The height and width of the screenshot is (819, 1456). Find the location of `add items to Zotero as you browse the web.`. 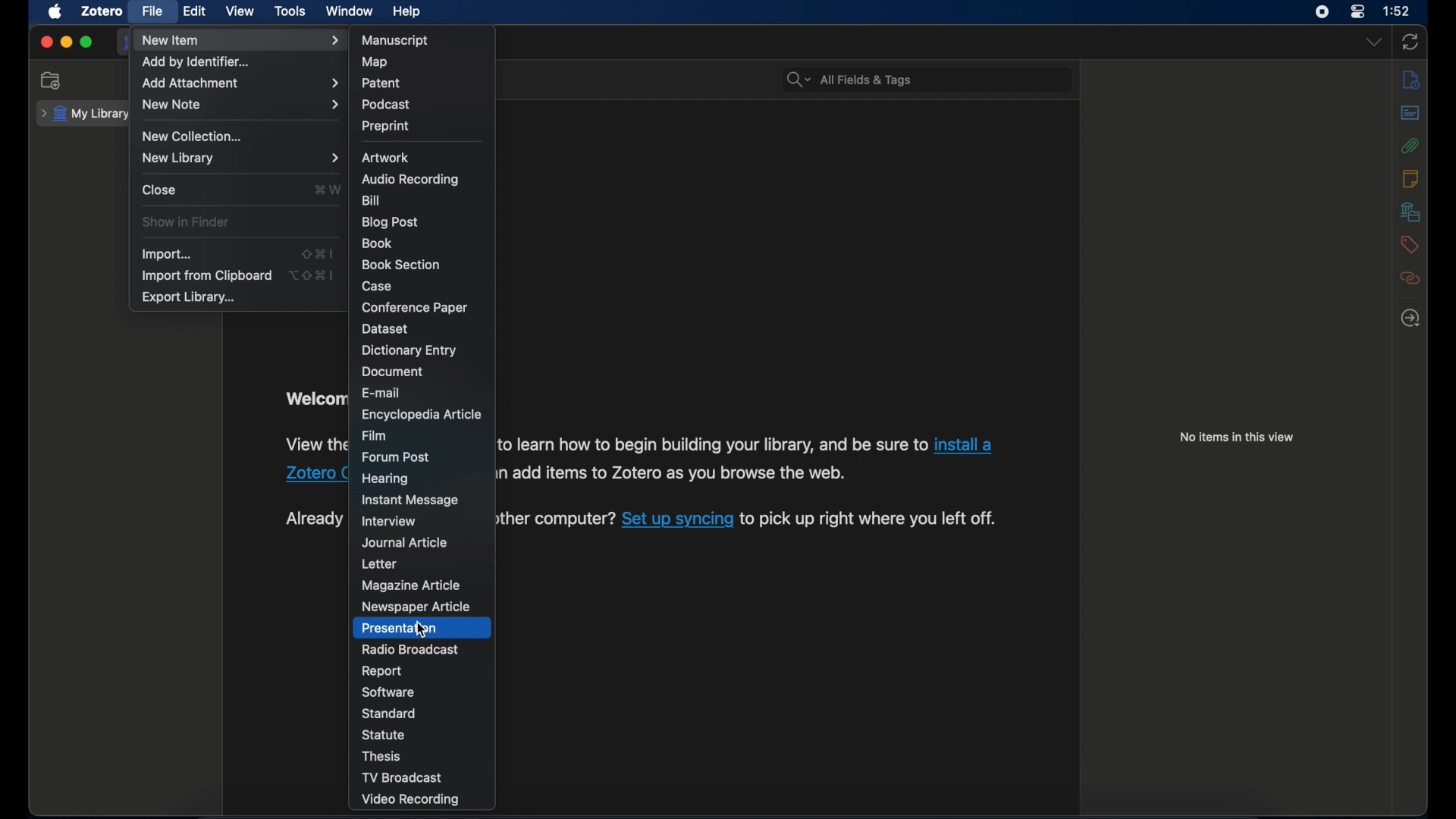

add items to Zotero as you browse the web. is located at coordinates (677, 473).